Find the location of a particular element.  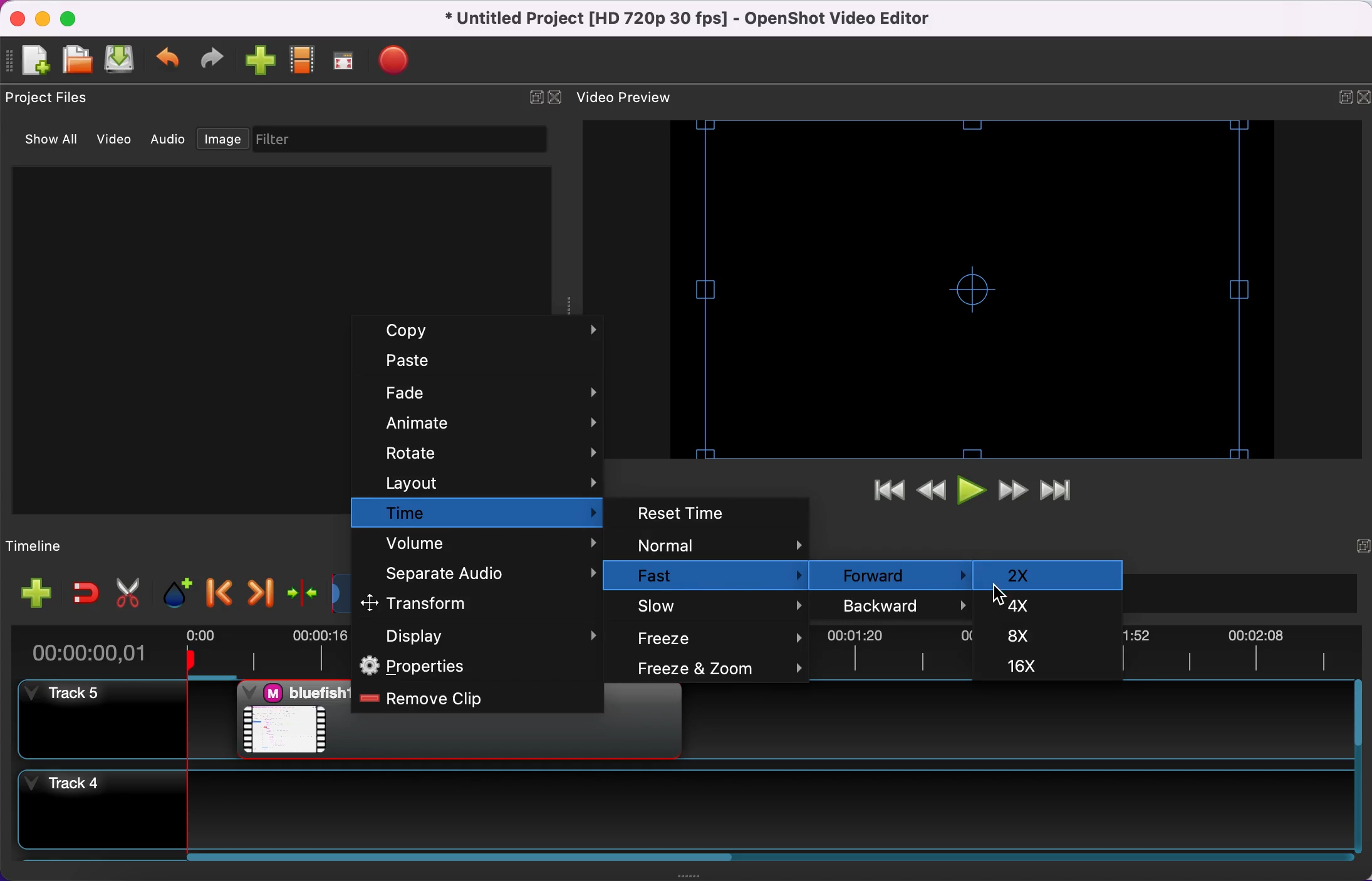

forward is located at coordinates (895, 576).